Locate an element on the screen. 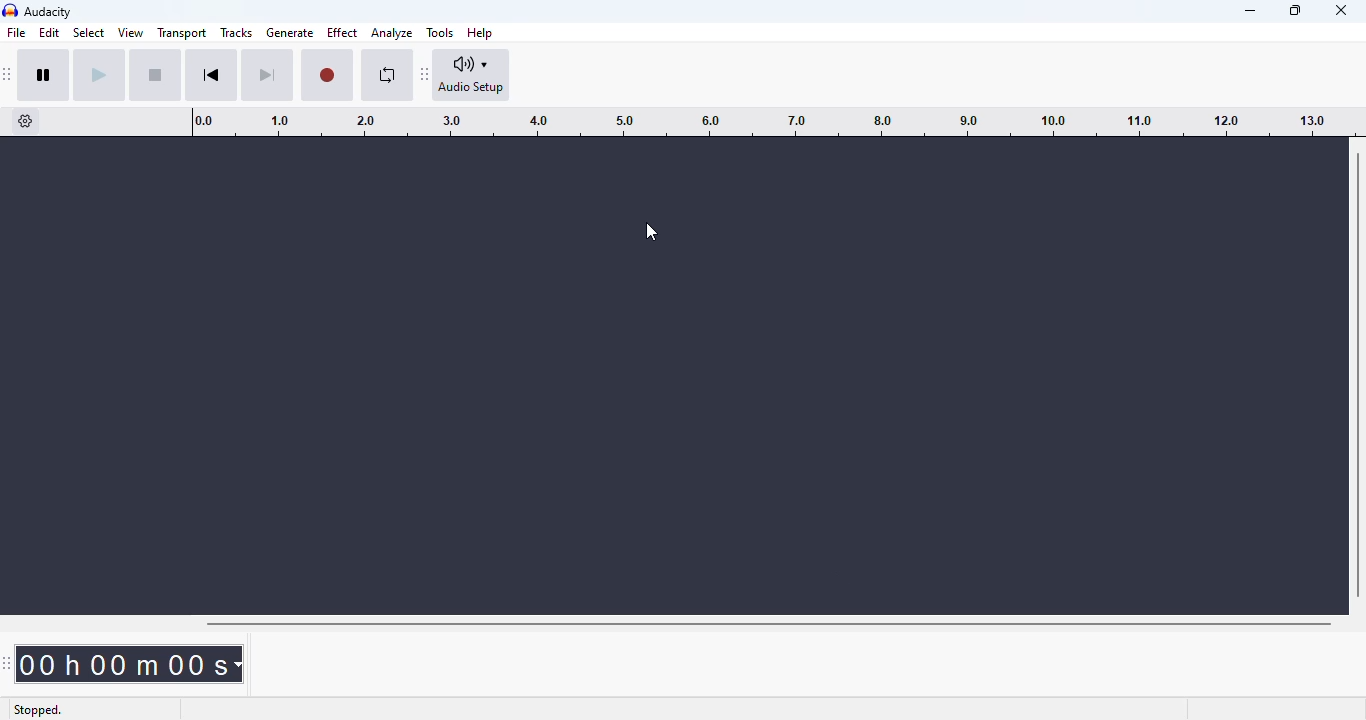 Image resolution: width=1366 pixels, height=720 pixels. tools is located at coordinates (440, 33).